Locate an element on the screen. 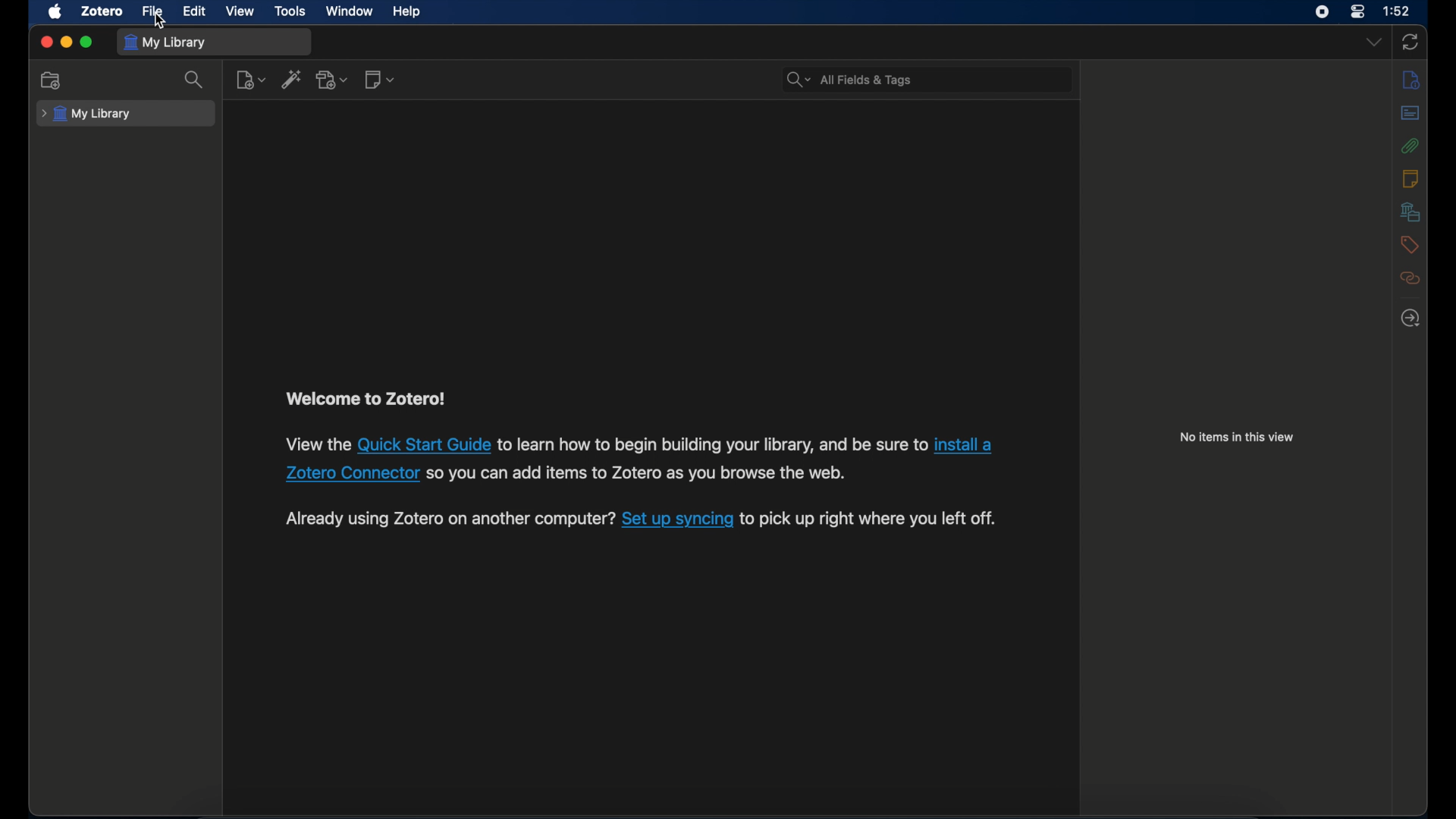  Set up syncing is located at coordinates (677, 518).